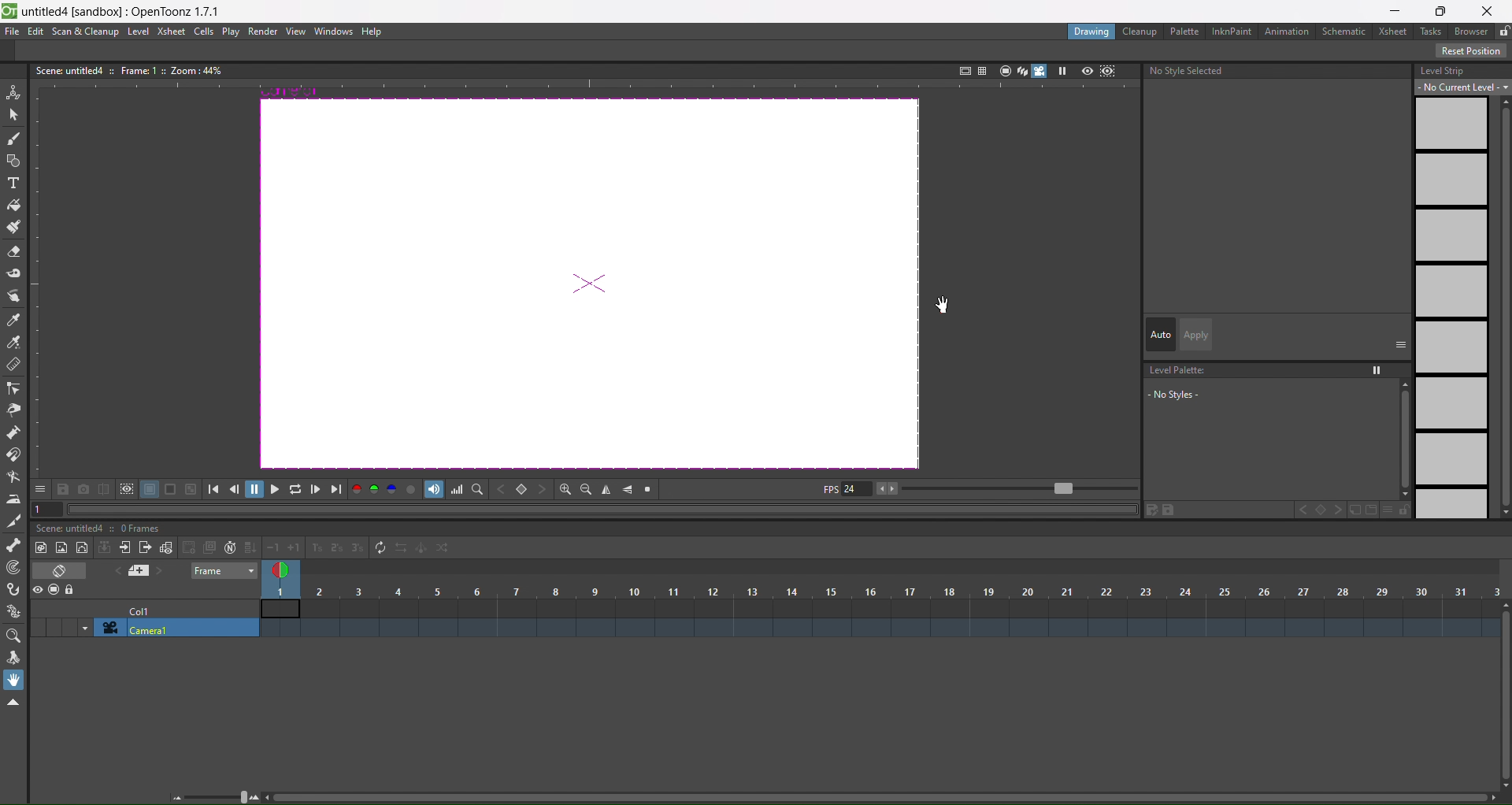  I want to click on col1, so click(147, 610).